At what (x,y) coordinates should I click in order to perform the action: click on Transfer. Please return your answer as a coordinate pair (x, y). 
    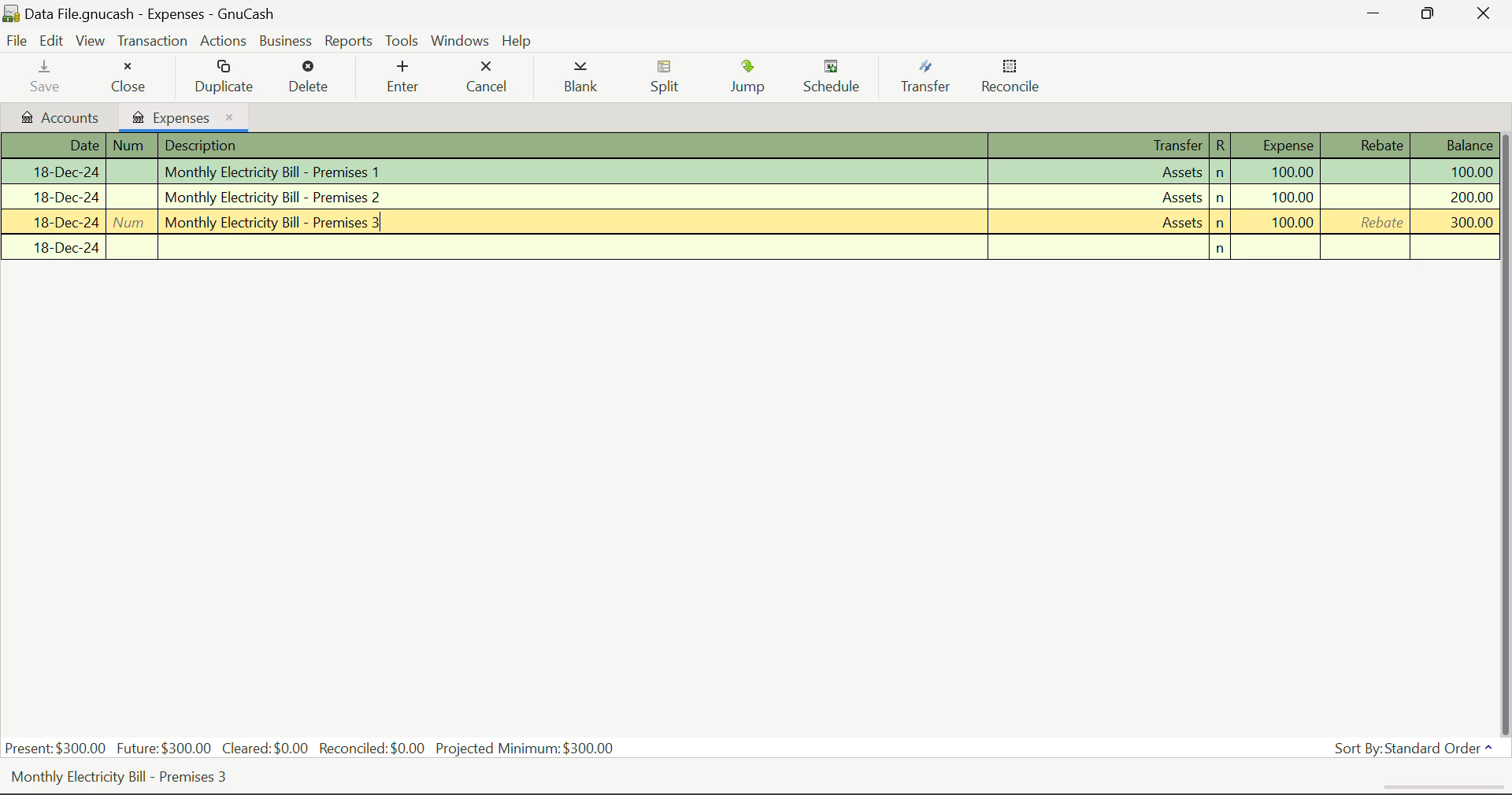
    Looking at the image, I should click on (929, 79).